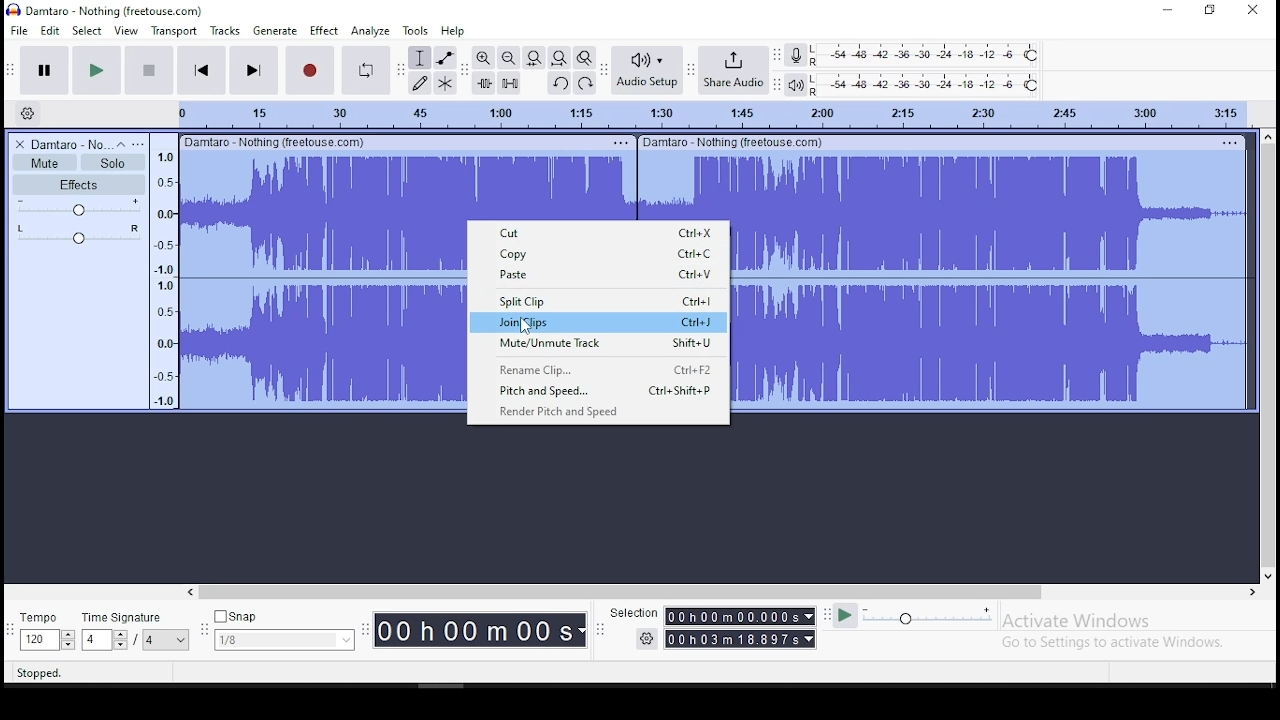 The image size is (1280, 720). Describe the element at coordinates (26, 113) in the screenshot. I see `timeline settings` at that location.